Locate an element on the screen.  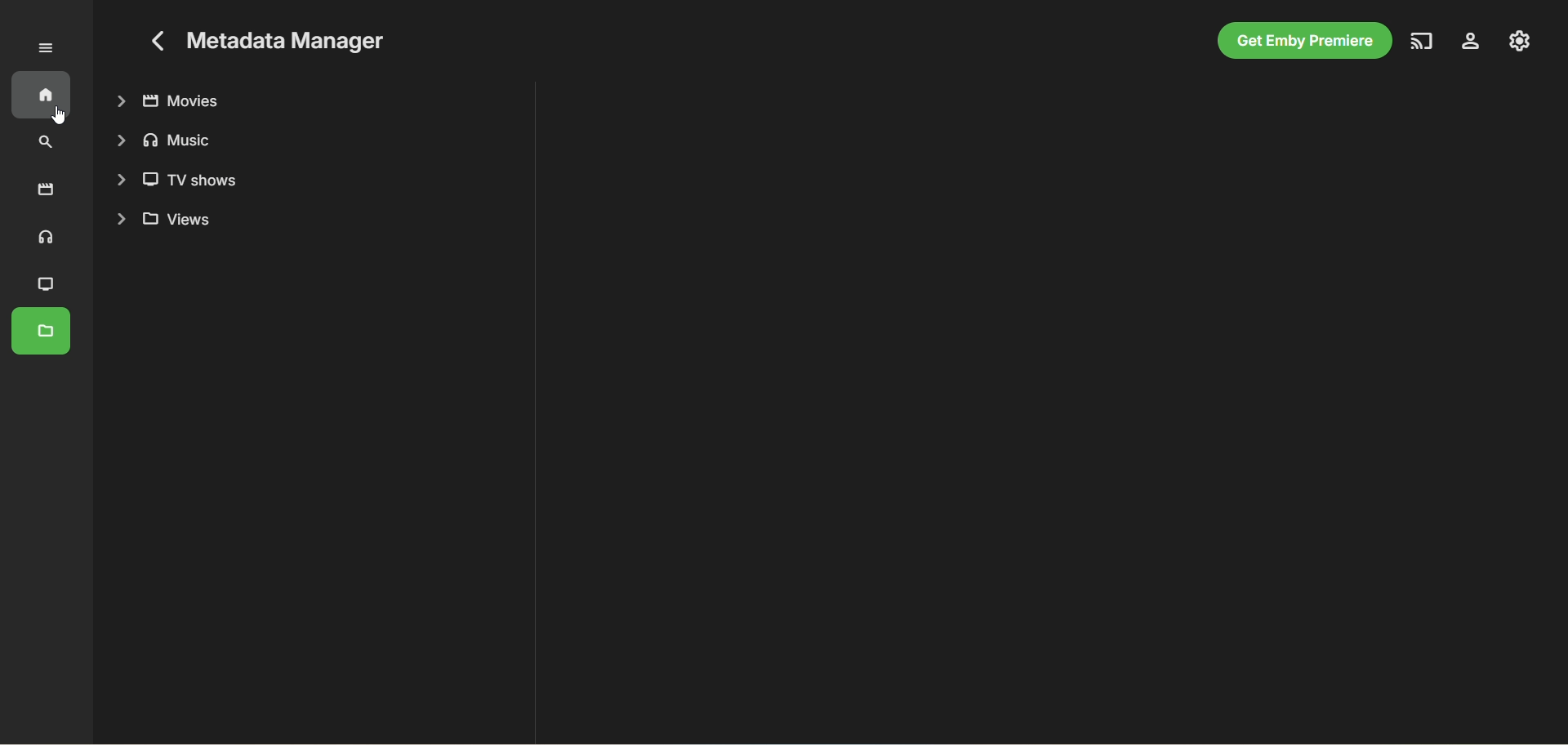
TV shows is located at coordinates (46, 282).